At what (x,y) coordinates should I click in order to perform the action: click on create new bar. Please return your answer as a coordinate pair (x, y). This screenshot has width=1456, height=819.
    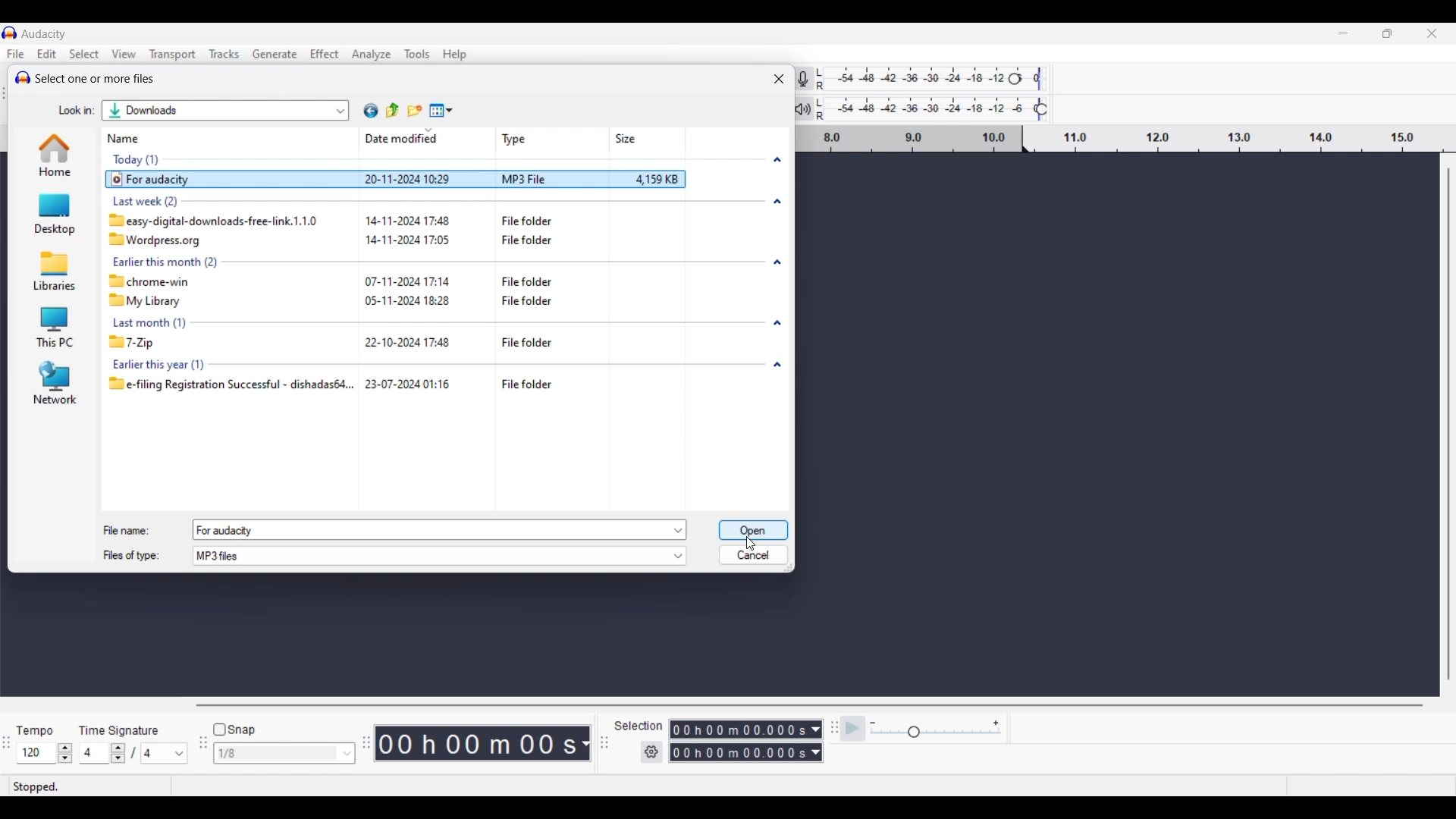
    Looking at the image, I should click on (421, 104).